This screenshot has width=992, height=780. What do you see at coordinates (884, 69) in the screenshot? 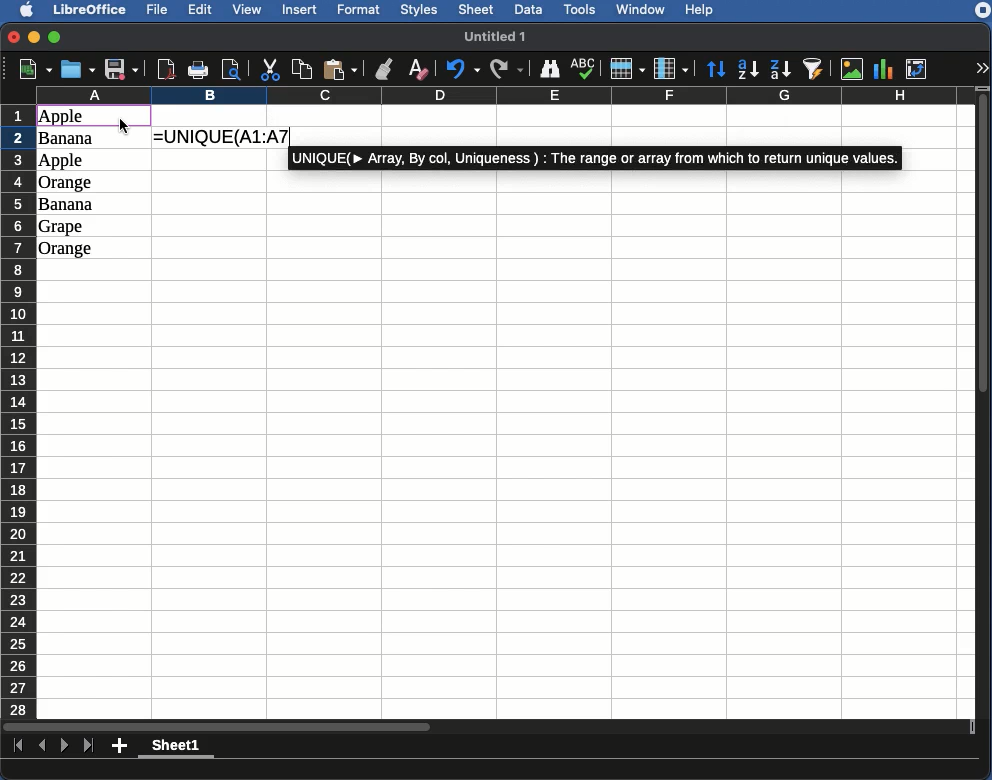
I see `Chart` at bounding box center [884, 69].